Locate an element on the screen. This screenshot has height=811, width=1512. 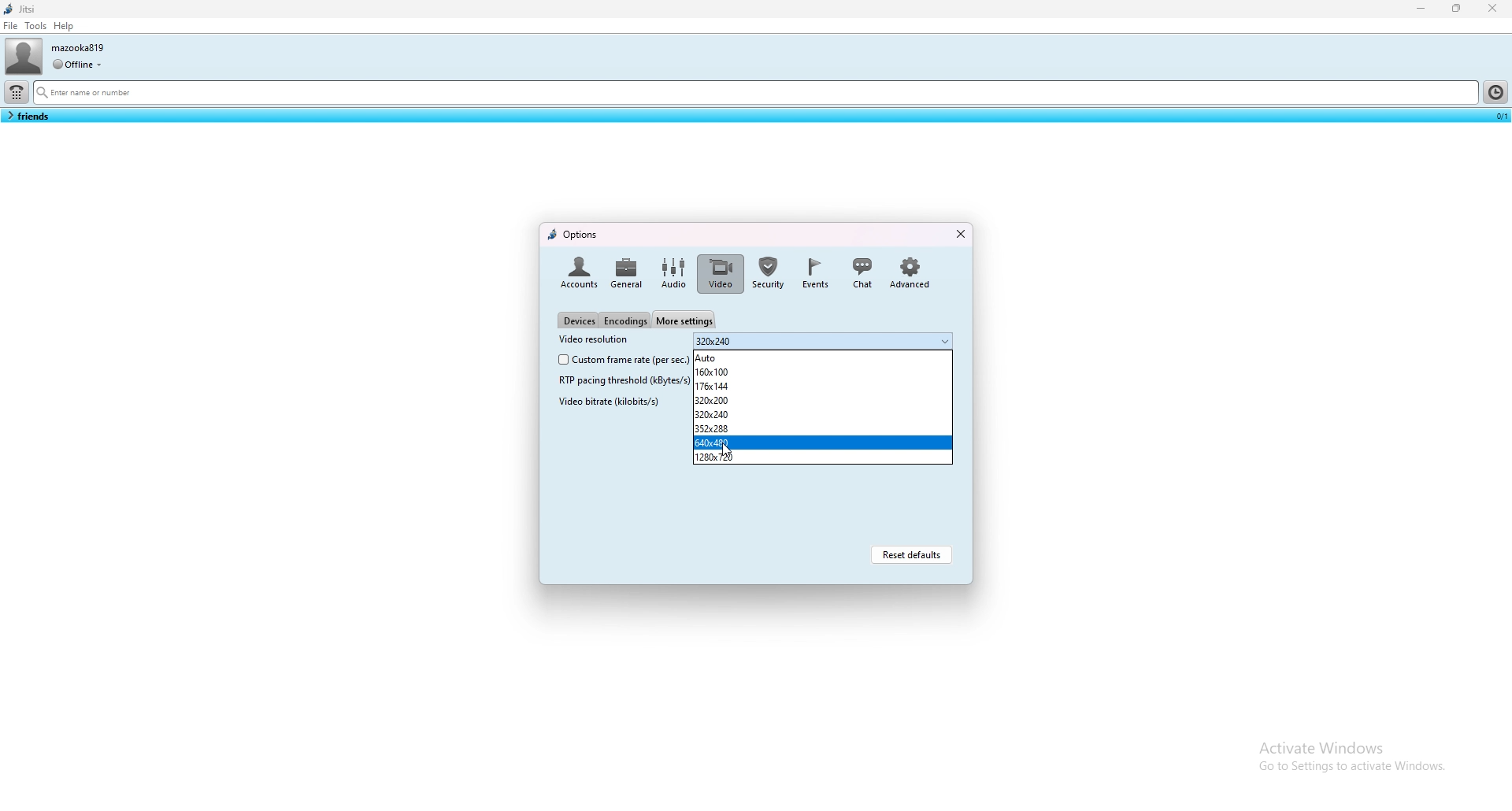
Video bitrate (kilobits/s) is located at coordinates (608, 401).